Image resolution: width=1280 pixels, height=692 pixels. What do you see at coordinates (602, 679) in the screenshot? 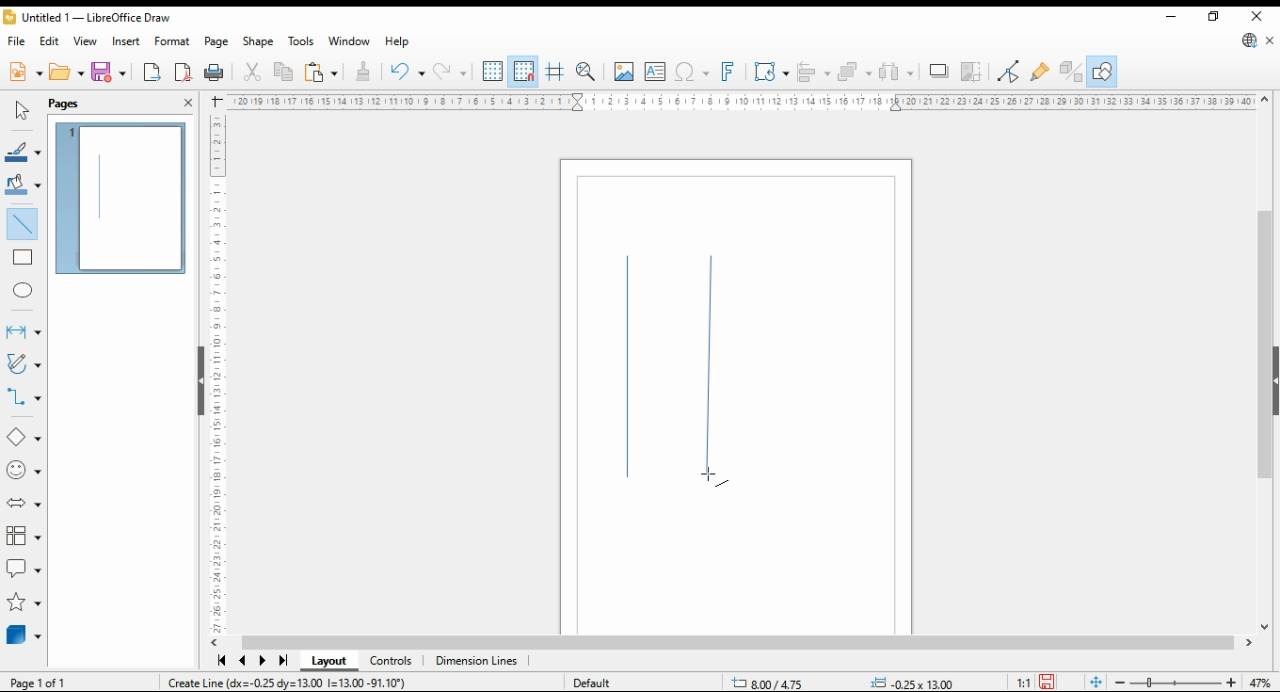
I see `default` at bounding box center [602, 679].